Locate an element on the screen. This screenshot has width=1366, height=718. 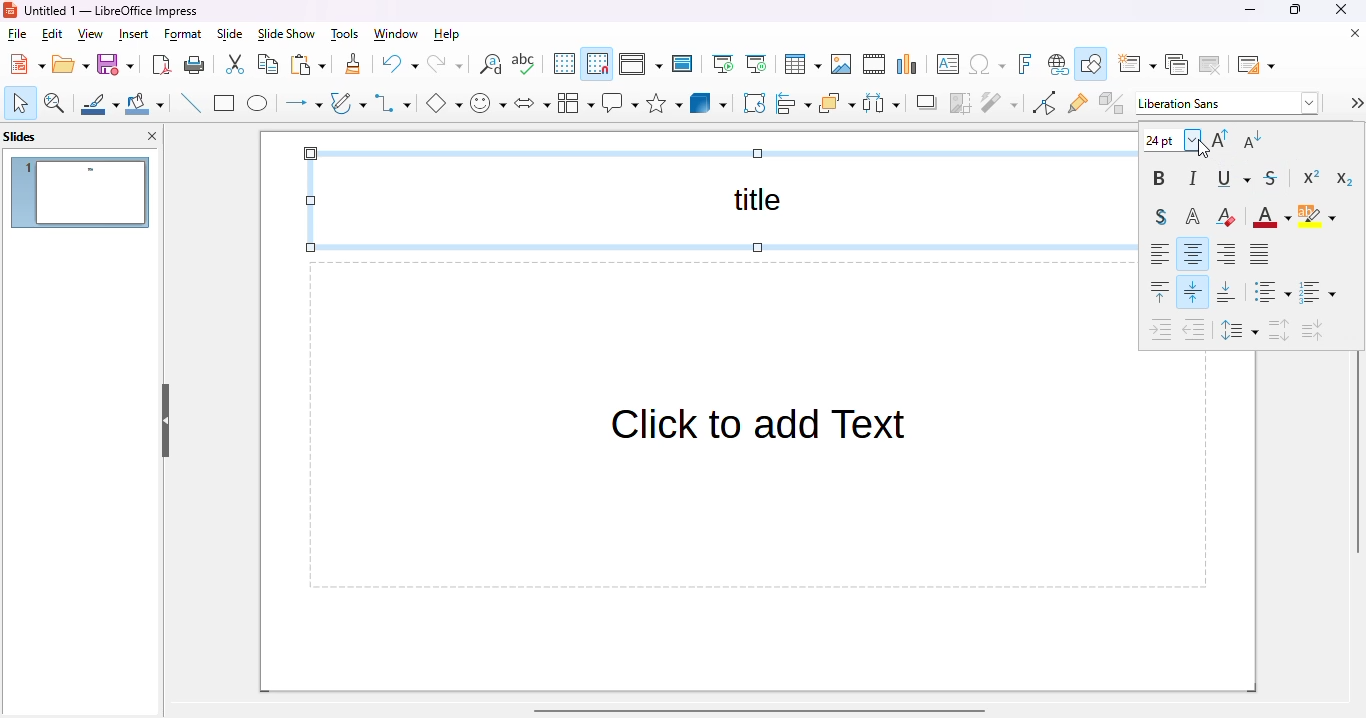
new slide is located at coordinates (1137, 64).